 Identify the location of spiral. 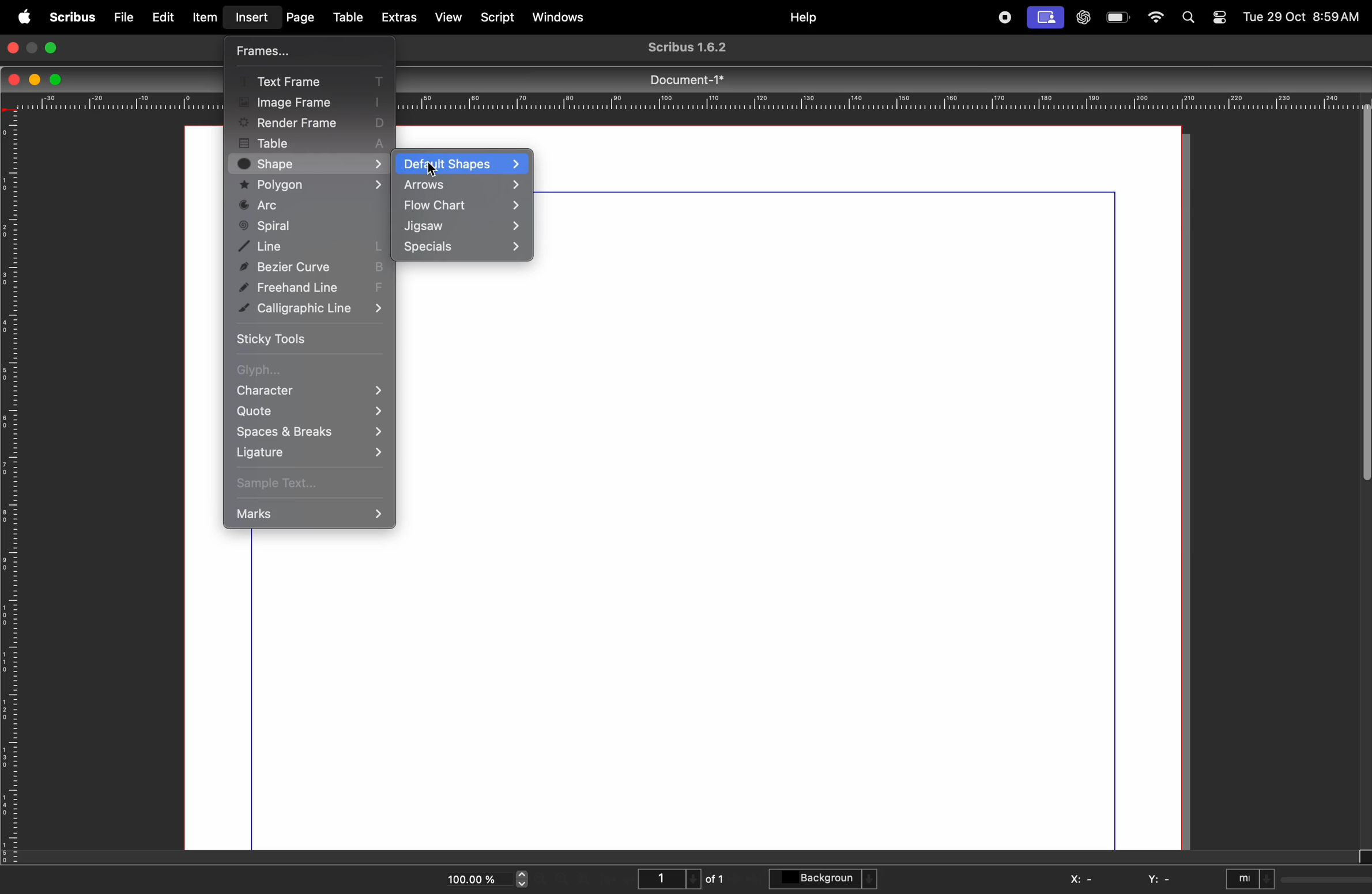
(308, 227).